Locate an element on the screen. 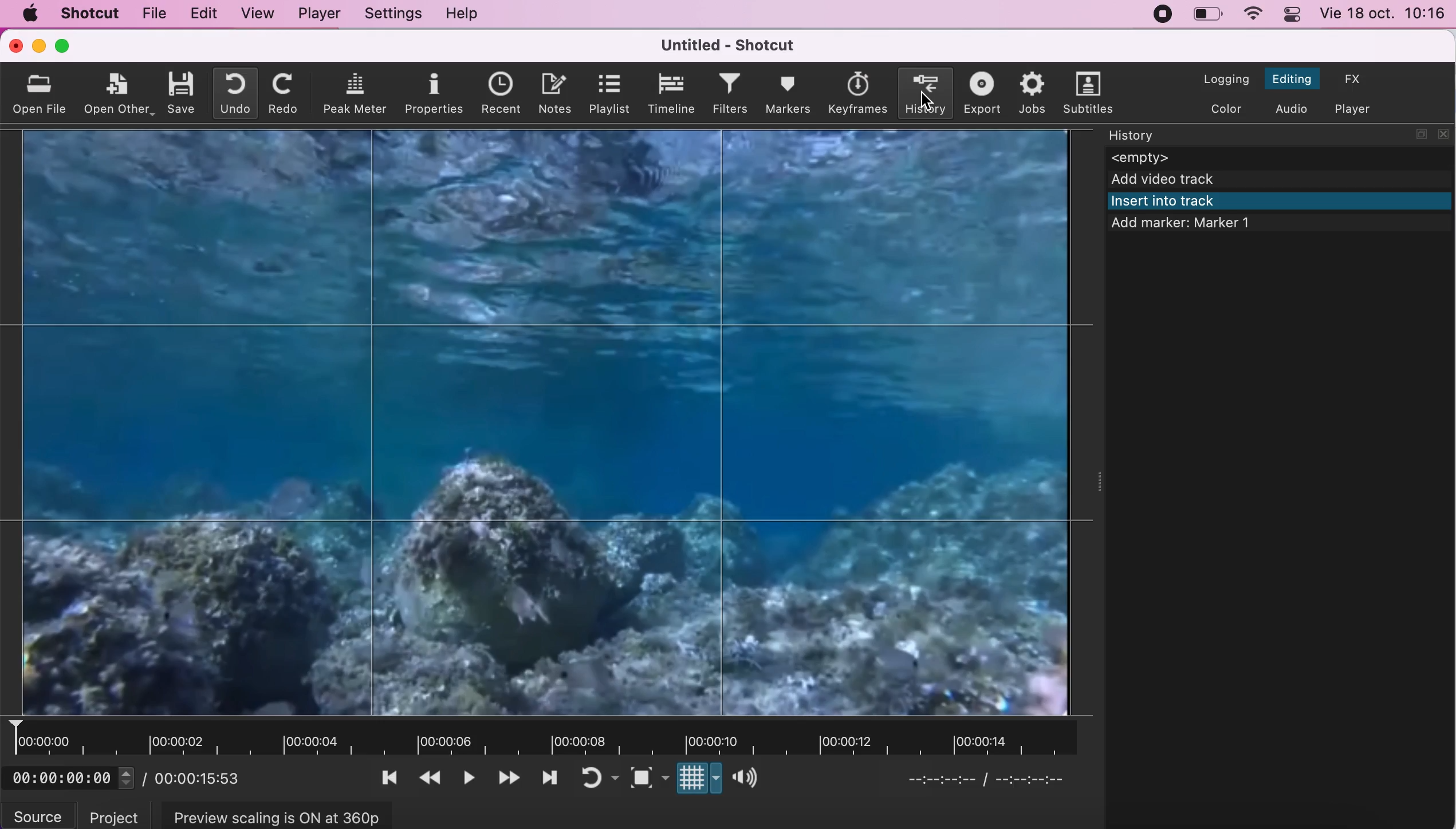 Image resolution: width=1456 pixels, height=829 pixels. peak meter is located at coordinates (356, 93).